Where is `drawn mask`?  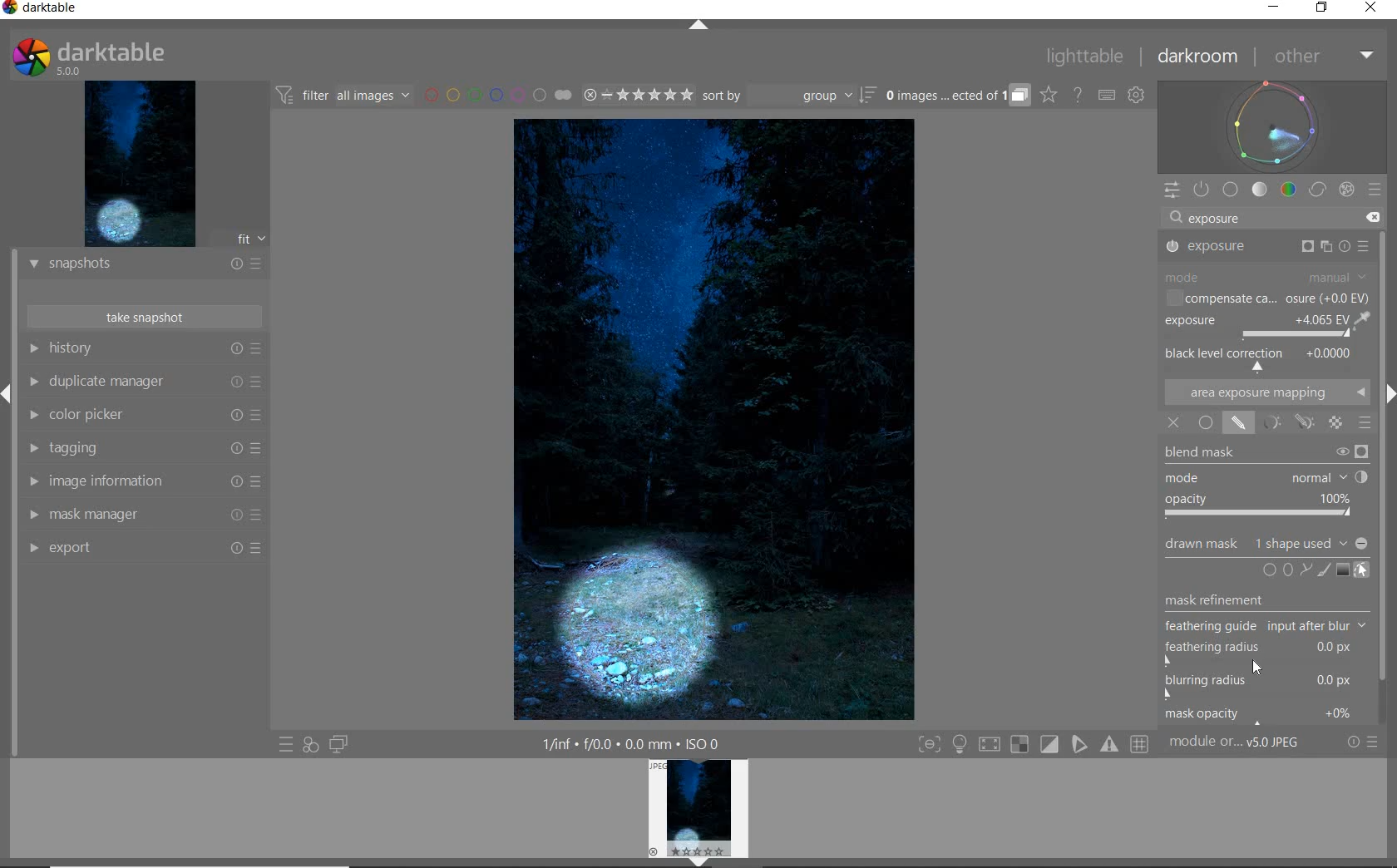 drawn mask is located at coordinates (1261, 542).